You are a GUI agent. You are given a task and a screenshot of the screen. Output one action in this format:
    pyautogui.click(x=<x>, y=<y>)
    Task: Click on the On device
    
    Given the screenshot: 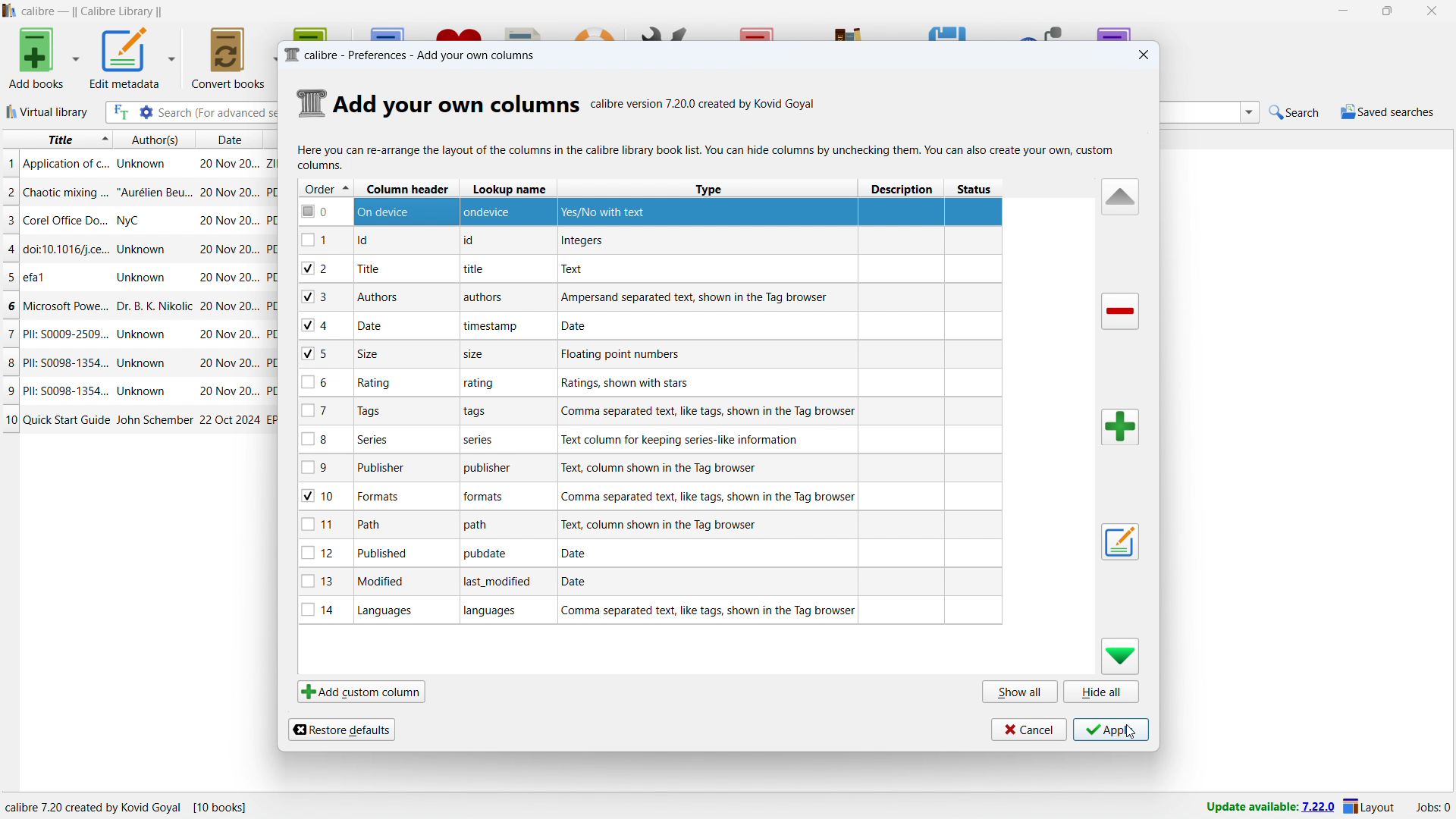 What is the action you would take?
    pyautogui.click(x=389, y=212)
    